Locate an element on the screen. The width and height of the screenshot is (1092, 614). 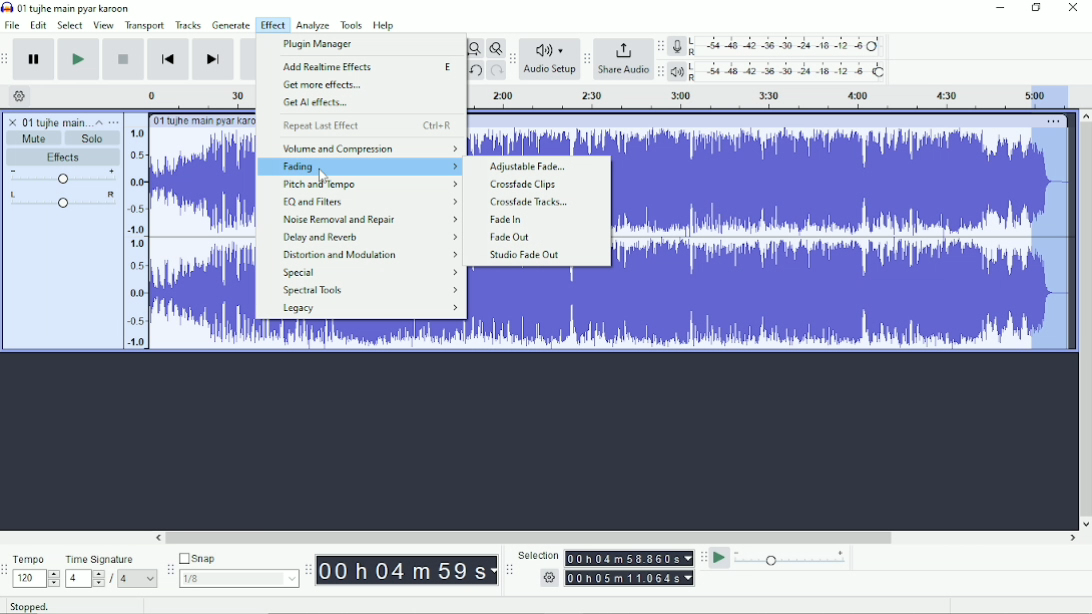
Audacity snapping toolbar is located at coordinates (170, 569).